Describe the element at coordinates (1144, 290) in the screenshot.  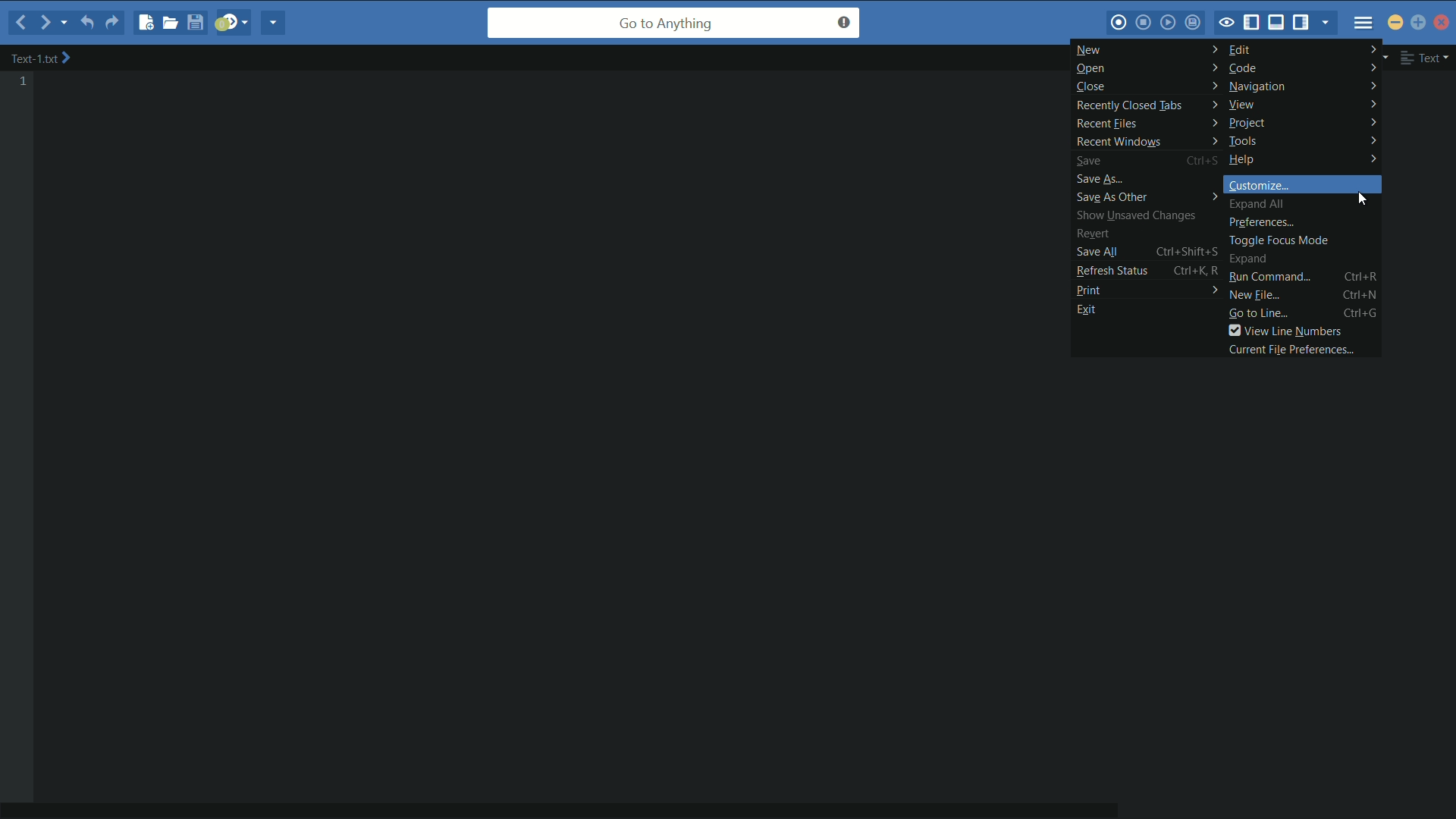
I see `print` at that location.